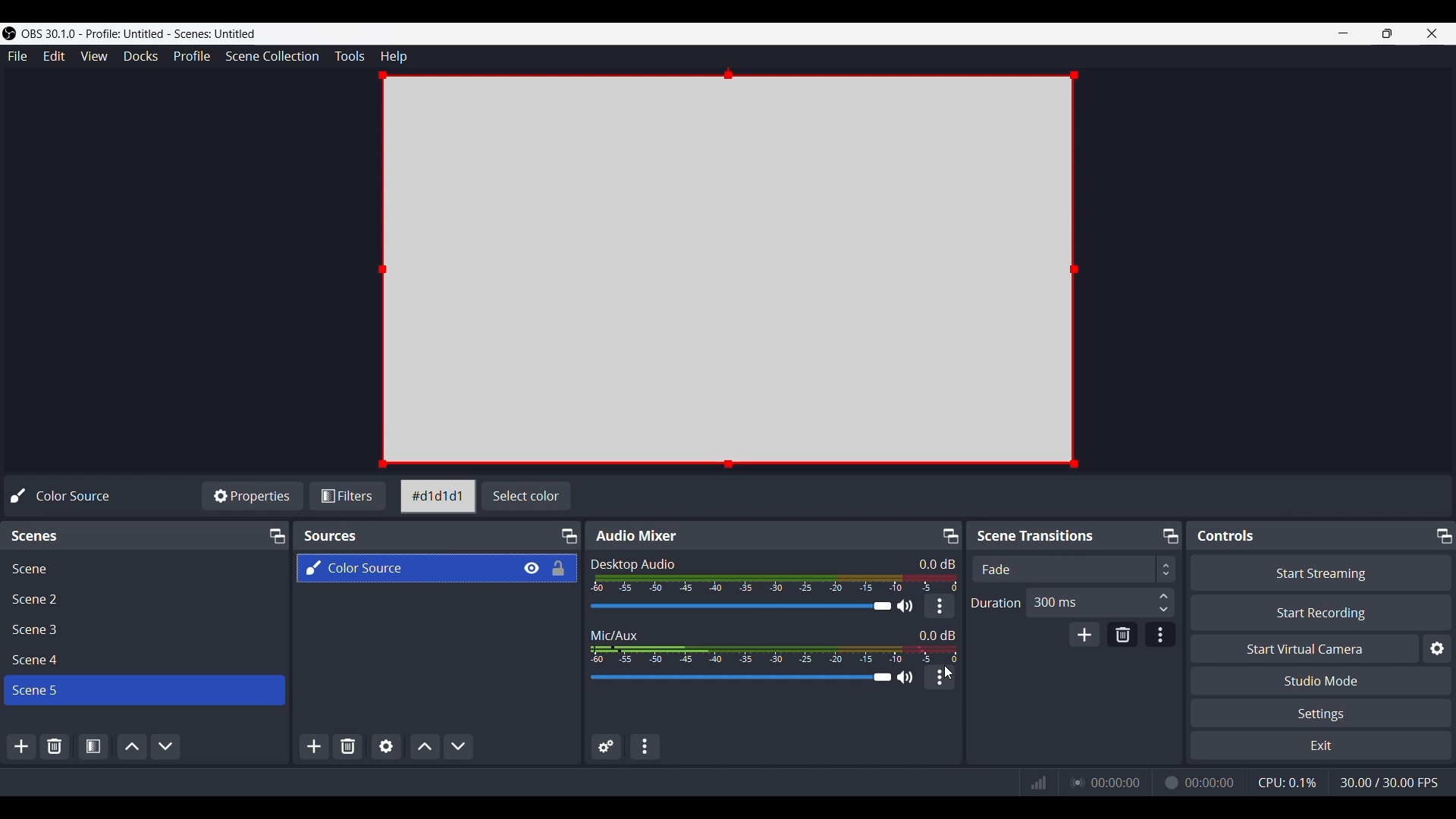  Describe the element at coordinates (53, 55) in the screenshot. I see `Edit` at that location.